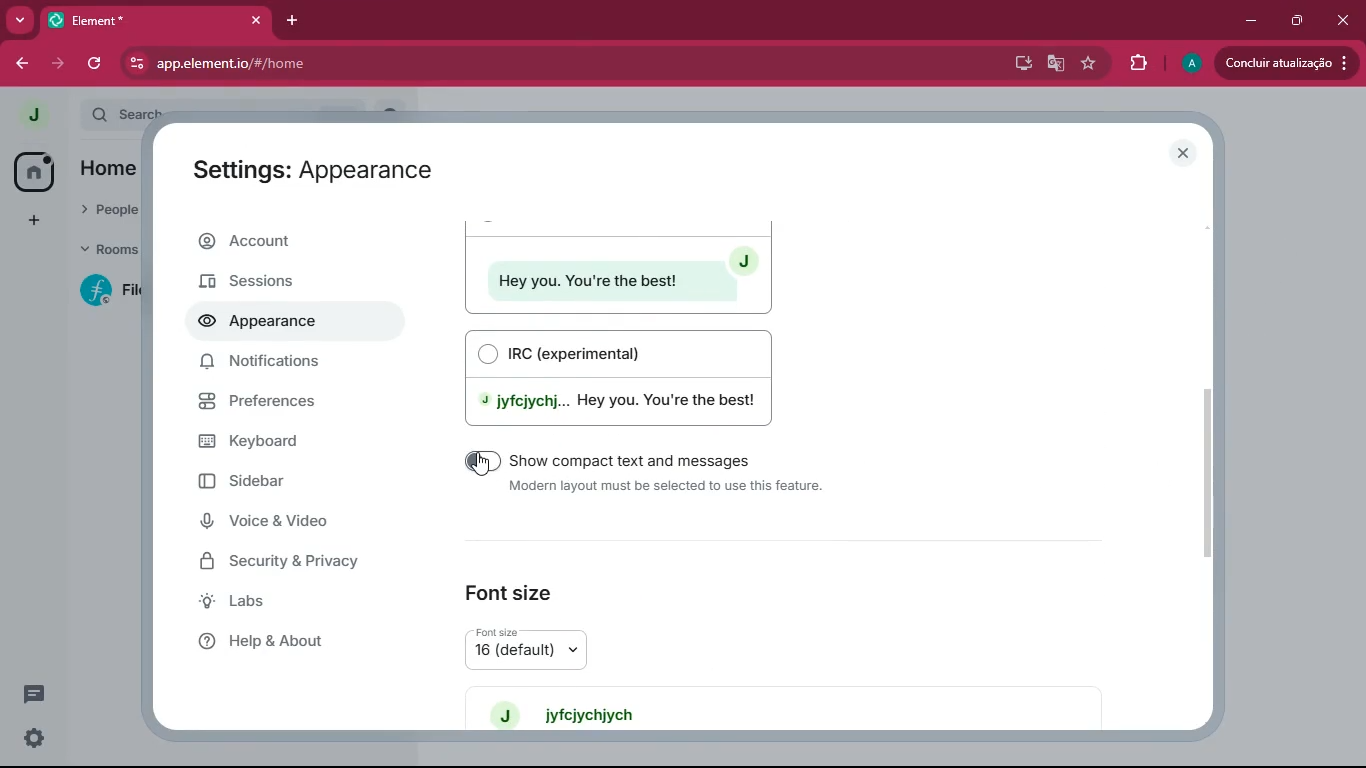 The height and width of the screenshot is (768, 1366). I want to click on app.elementio/#/home, so click(451, 64).